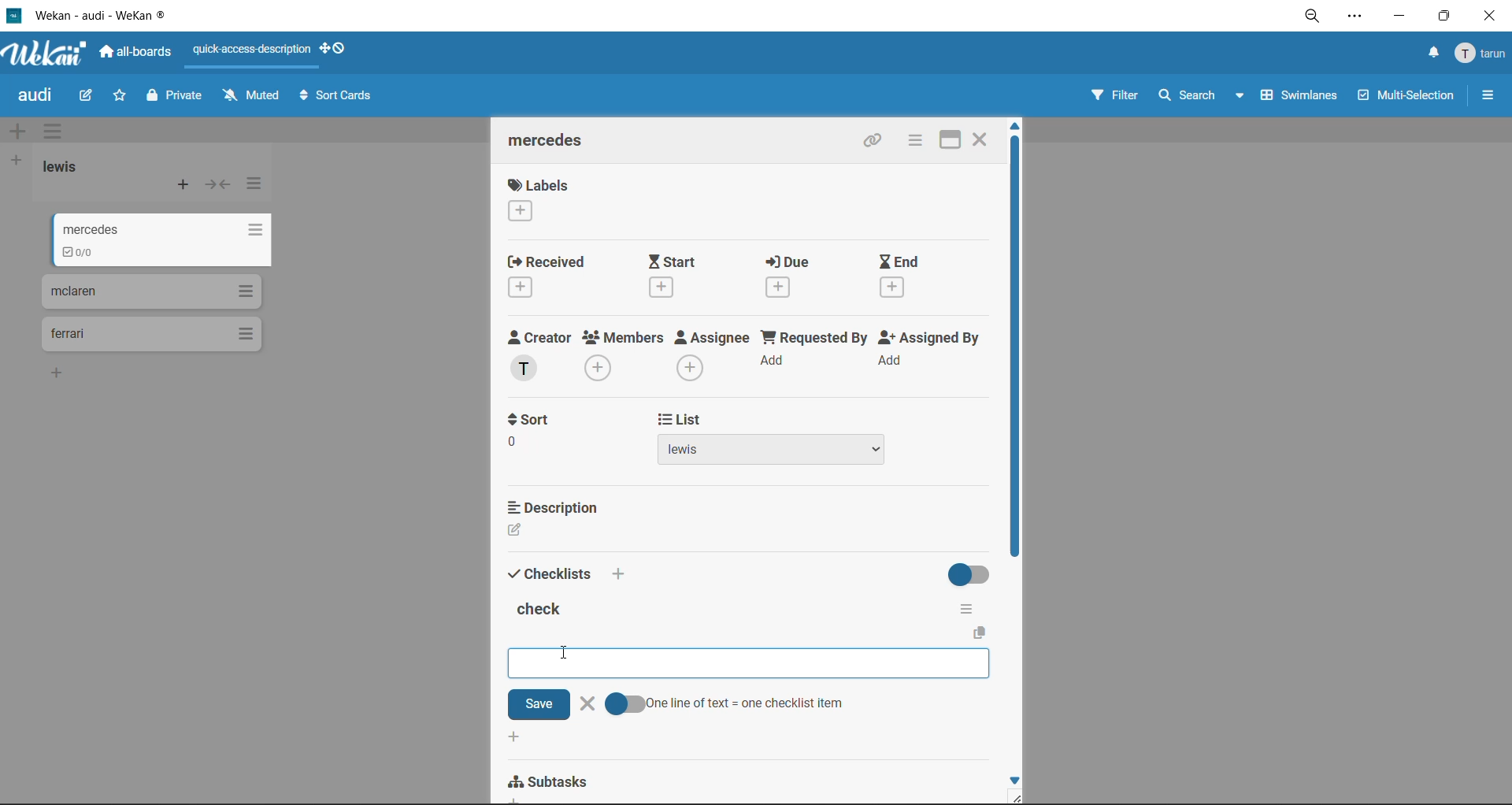  Describe the element at coordinates (688, 661) in the screenshot. I see `checklist option box` at that location.